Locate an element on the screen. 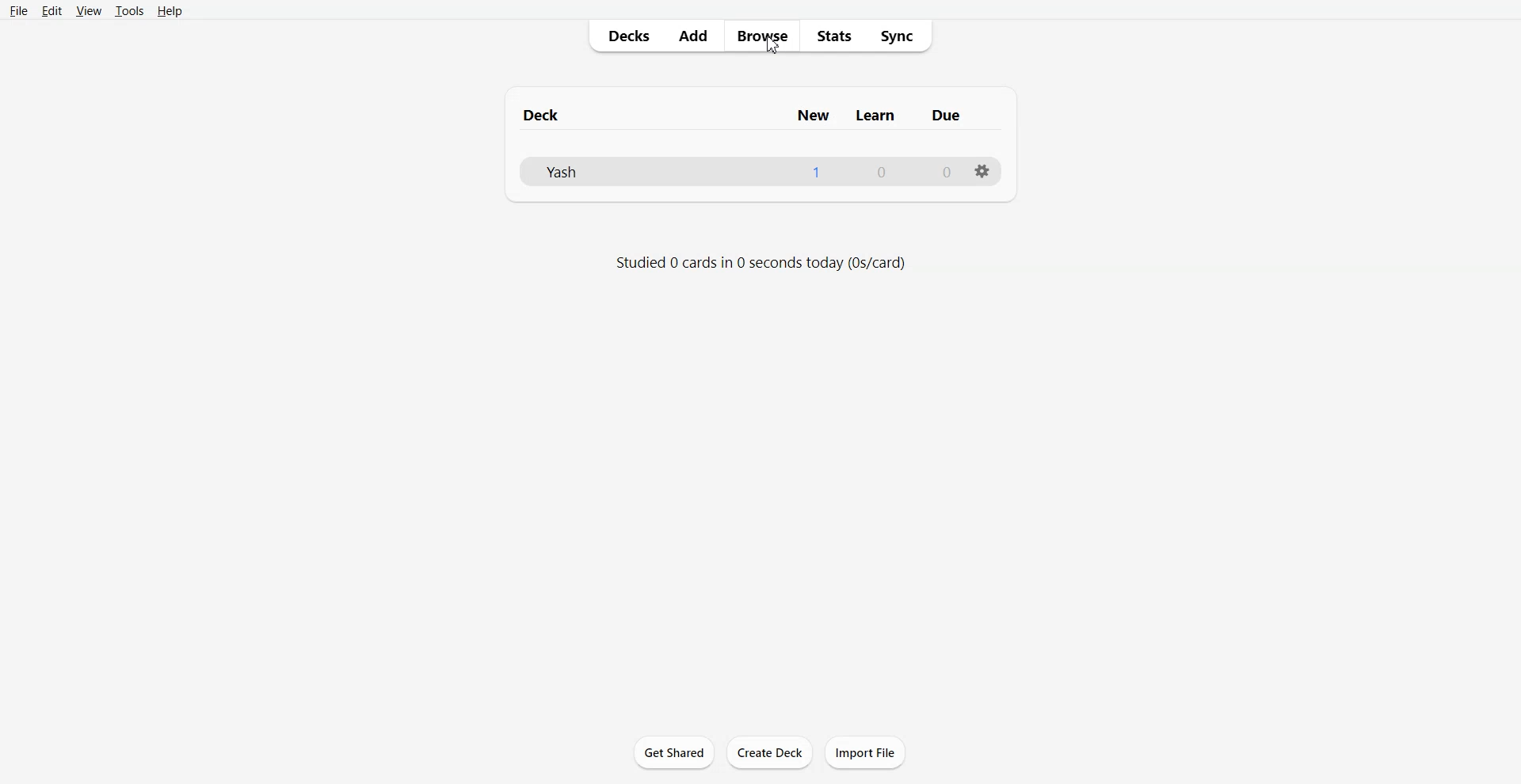 The width and height of the screenshot is (1521, 784). Get Shared is located at coordinates (675, 752).